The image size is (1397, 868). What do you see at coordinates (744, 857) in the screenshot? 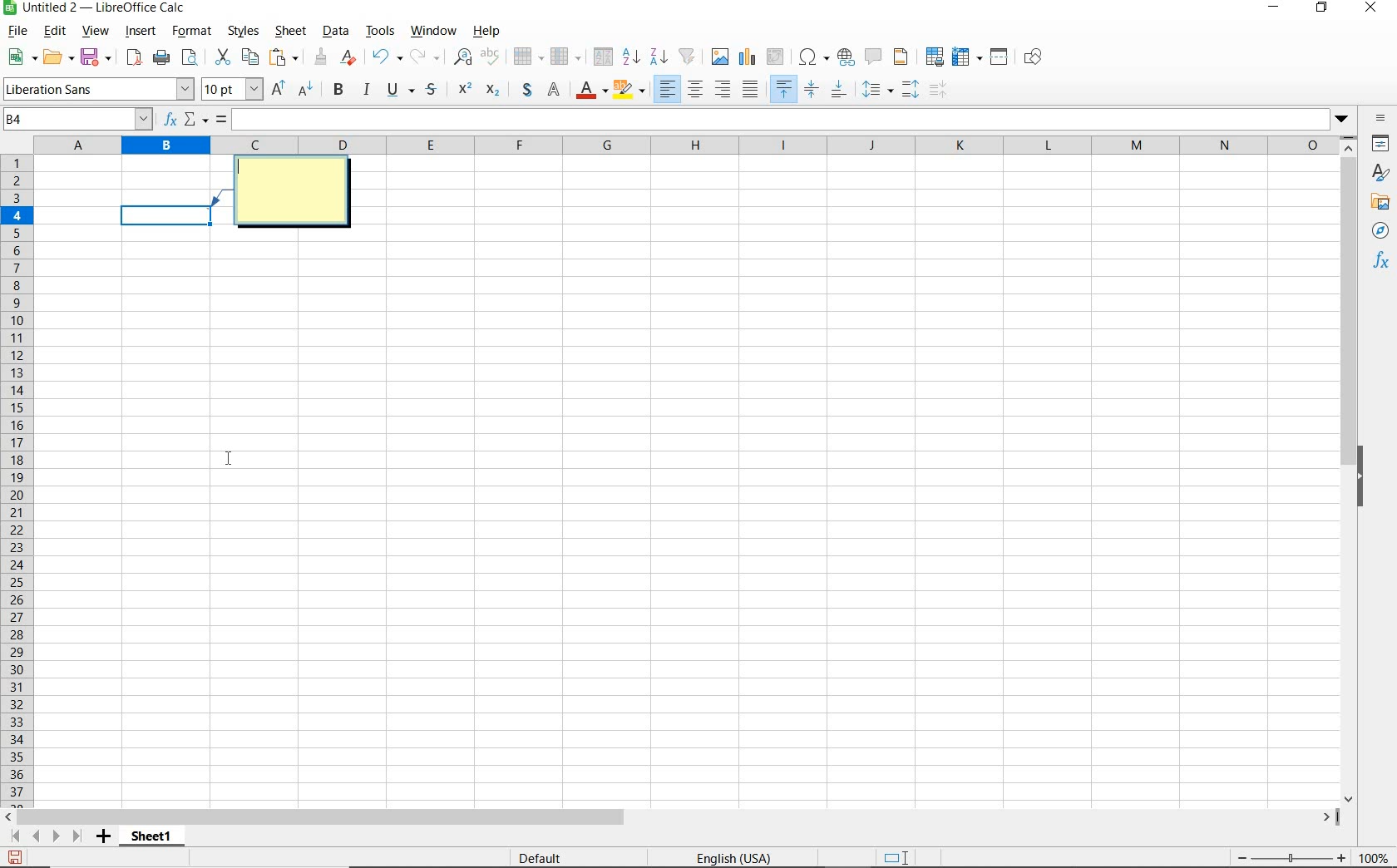
I see `English(USA)` at bounding box center [744, 857].